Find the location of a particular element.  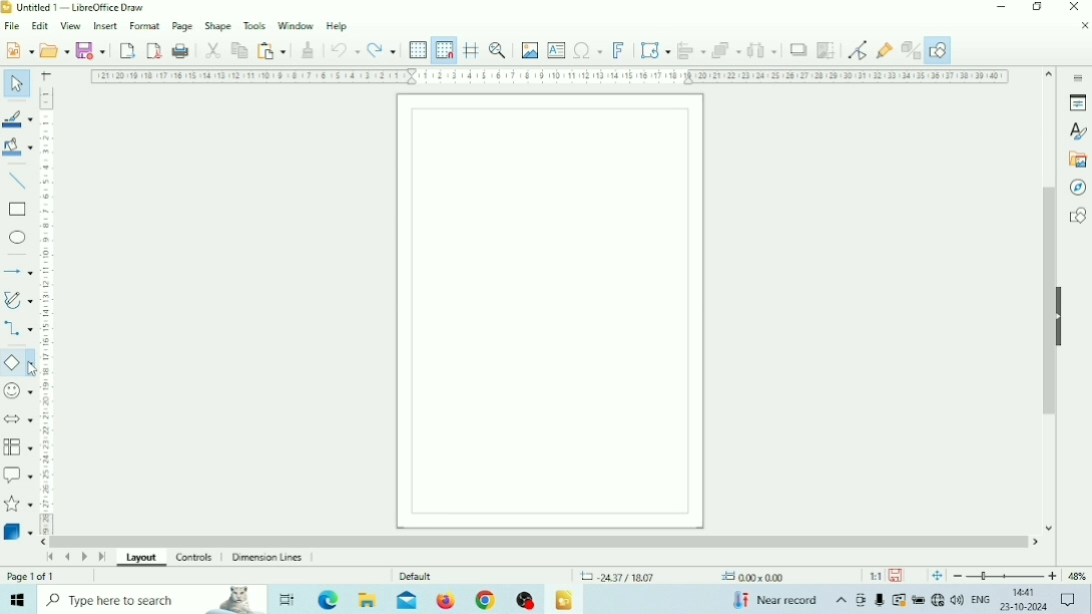

Close is located at coordinates (1073, 7).